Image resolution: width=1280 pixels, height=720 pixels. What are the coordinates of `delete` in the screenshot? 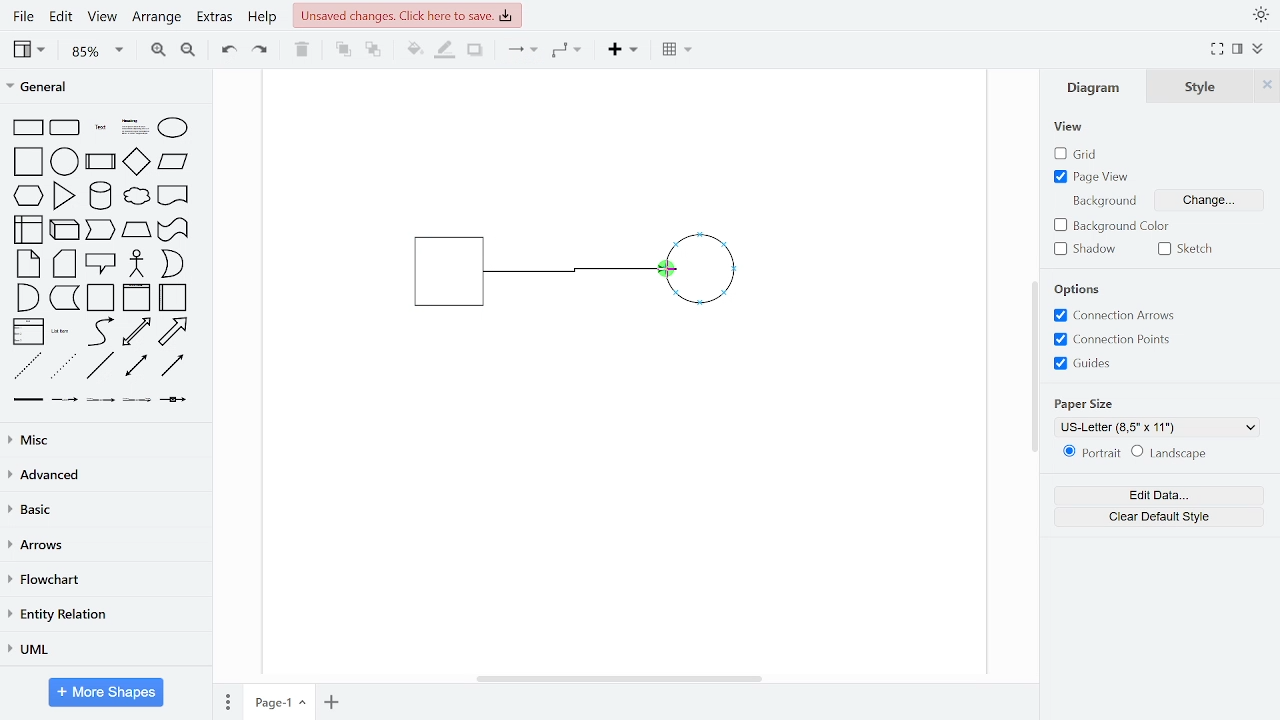 It's located at (302, 49).